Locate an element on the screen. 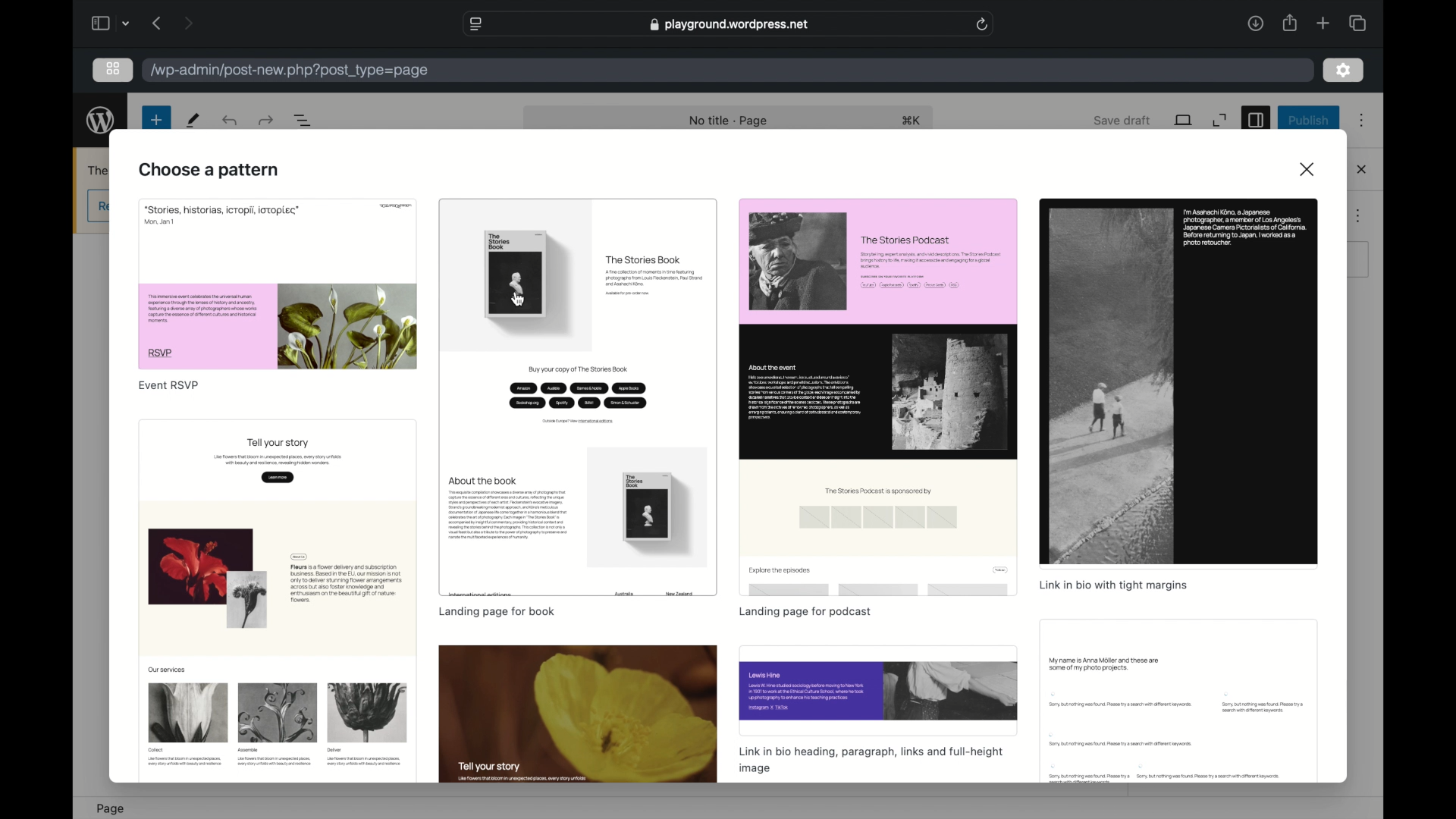 The image size is (1456, 819). view is located at coordinates (1185, 121).